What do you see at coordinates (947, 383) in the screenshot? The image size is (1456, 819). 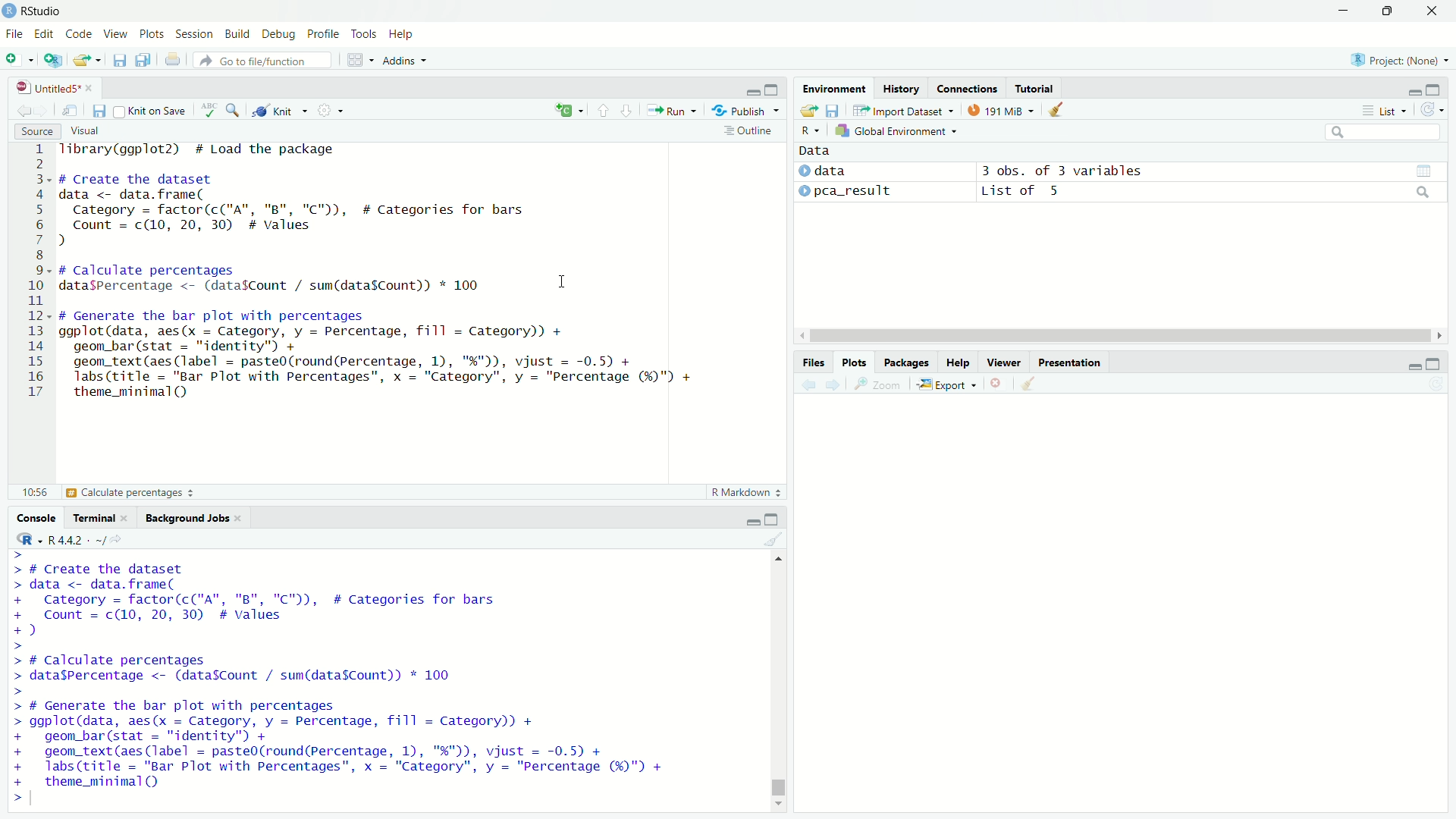 I see `export` at bounding box center [947, 383].